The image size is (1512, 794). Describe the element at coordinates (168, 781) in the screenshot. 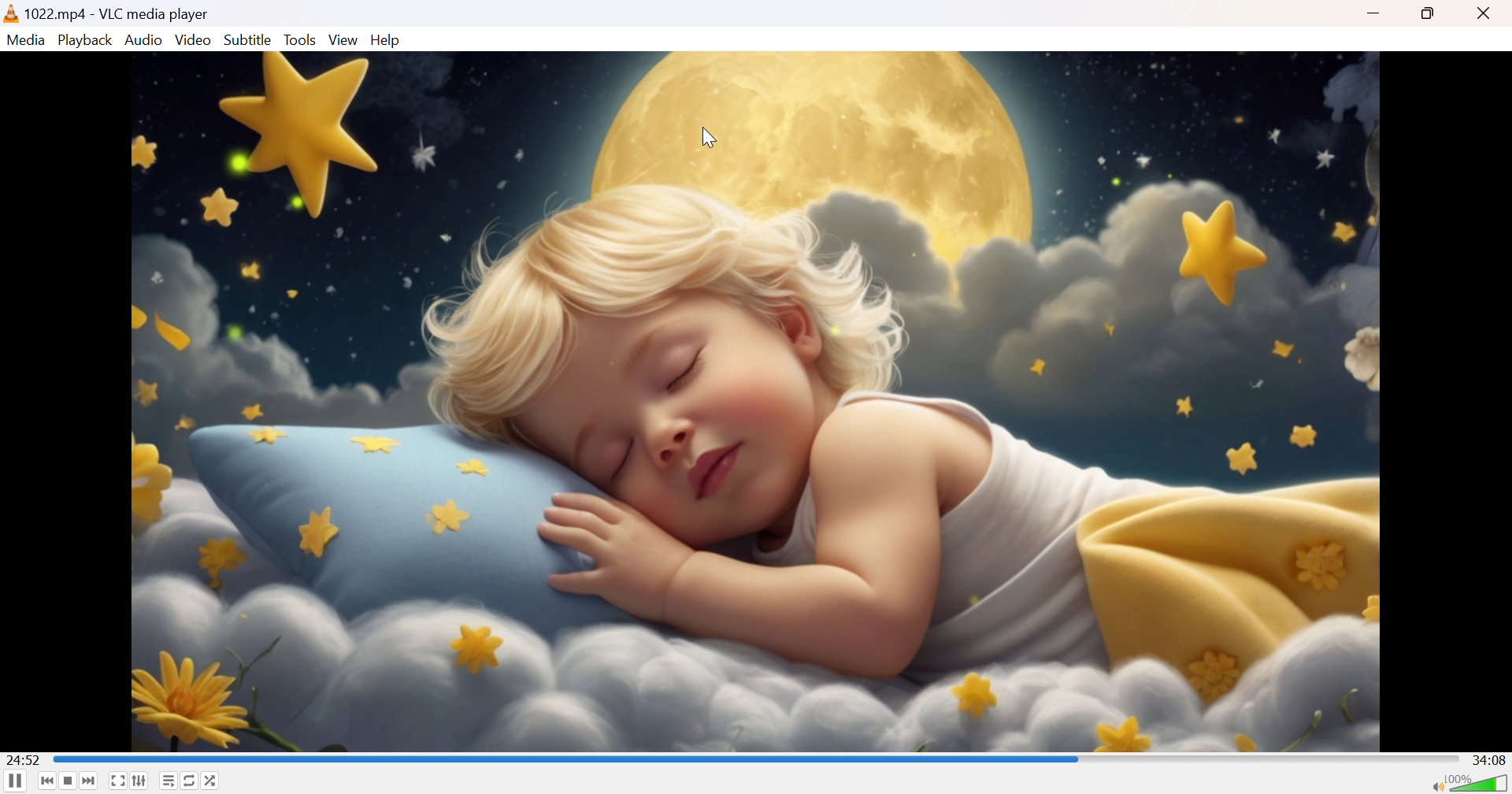

I see `Toggle playlist` at that location.